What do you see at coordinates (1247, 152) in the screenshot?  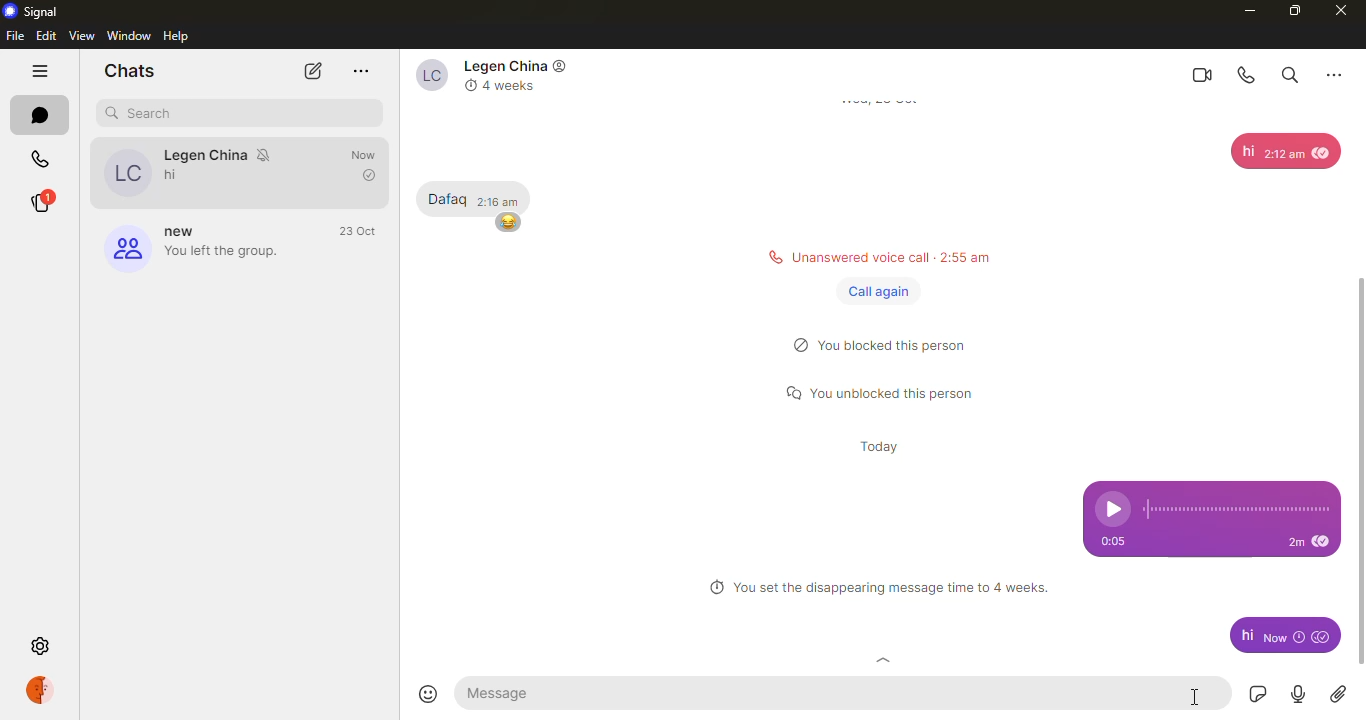 I see `hi` at bounding box center [1247, 152].